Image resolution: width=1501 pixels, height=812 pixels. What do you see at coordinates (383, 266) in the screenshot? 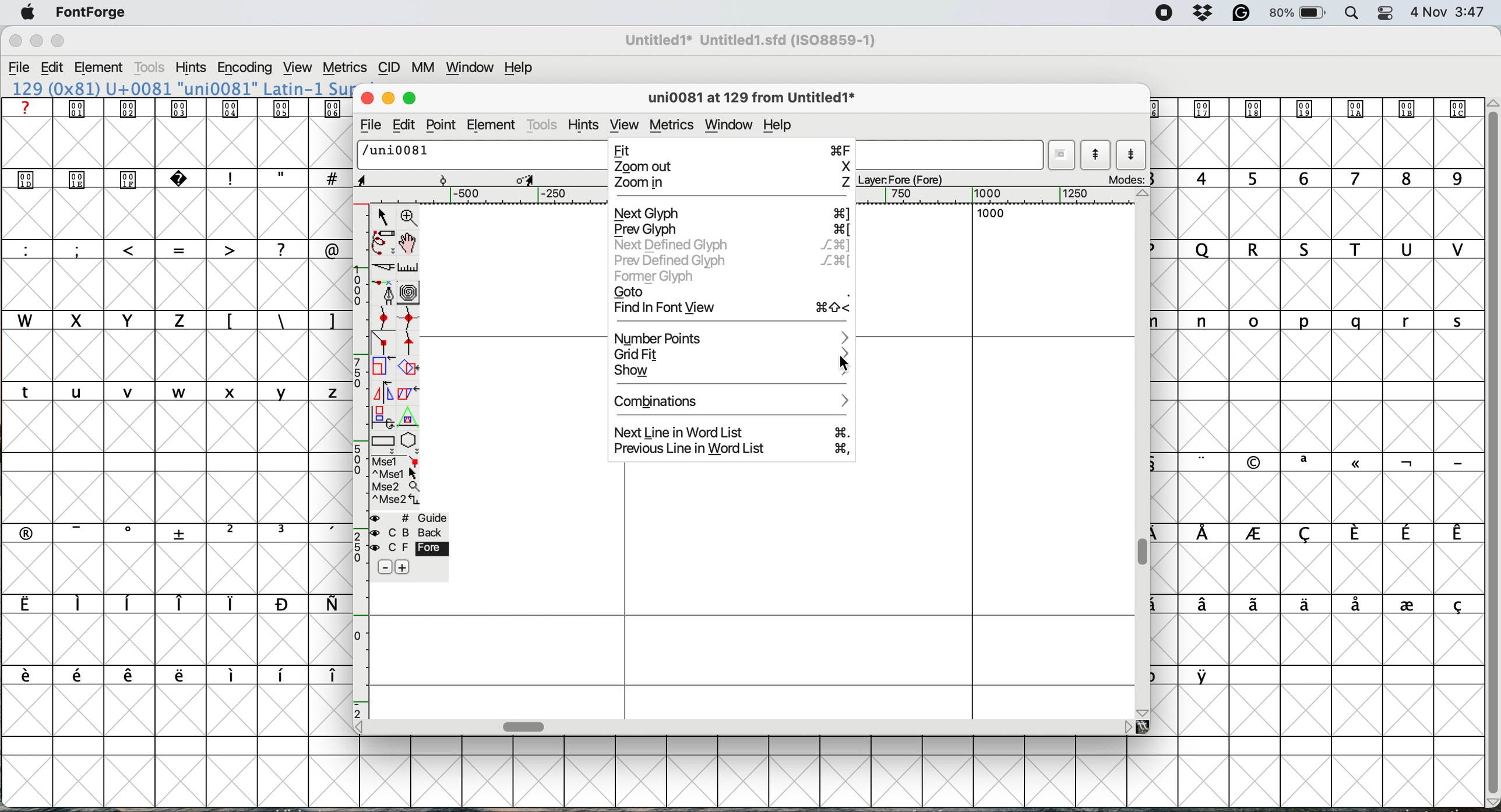
I see `cut splines in two` at bounding box center [383, 266].